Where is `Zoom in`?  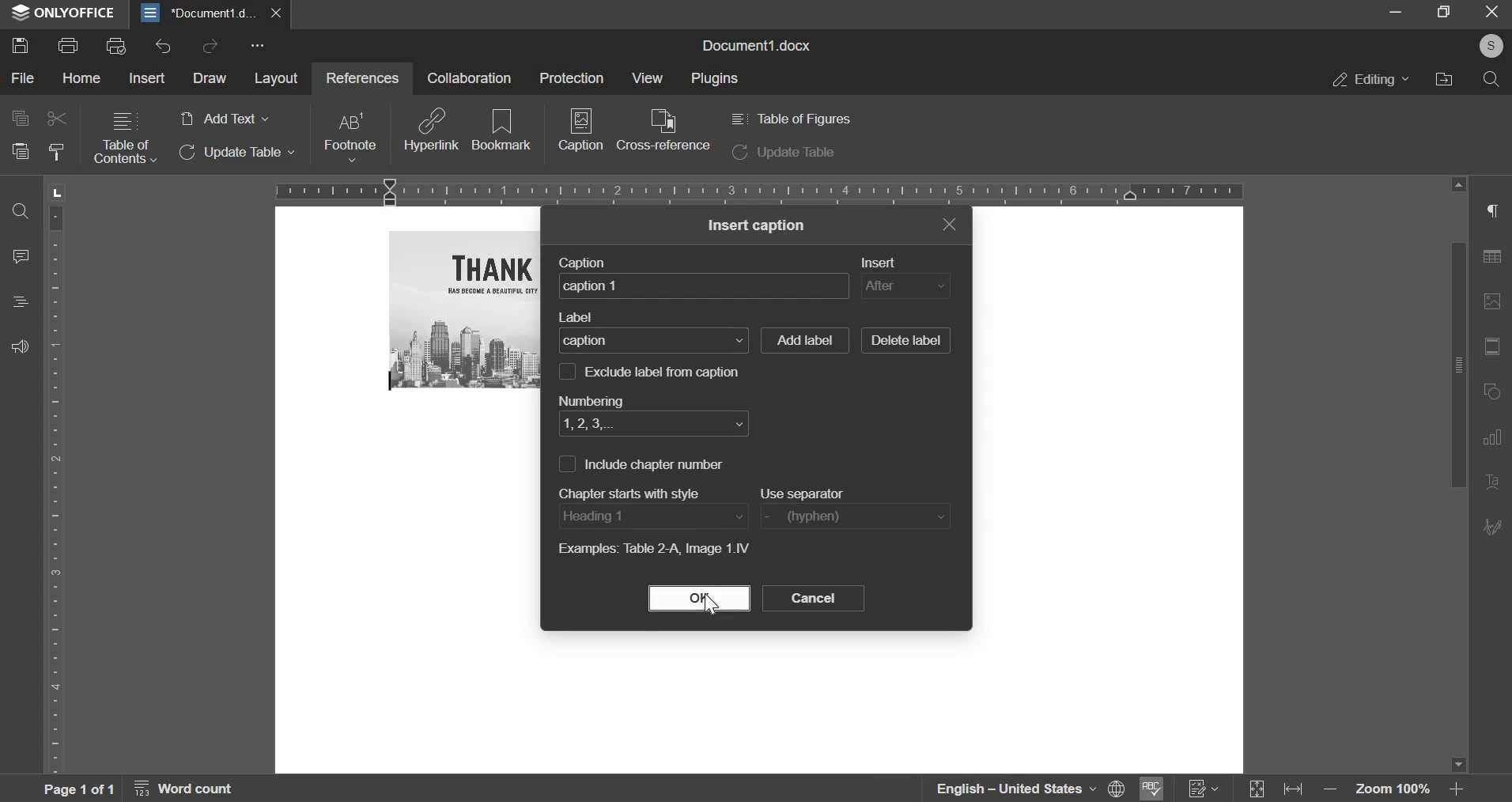 Zoom in is located at coordinates (1456, 789).